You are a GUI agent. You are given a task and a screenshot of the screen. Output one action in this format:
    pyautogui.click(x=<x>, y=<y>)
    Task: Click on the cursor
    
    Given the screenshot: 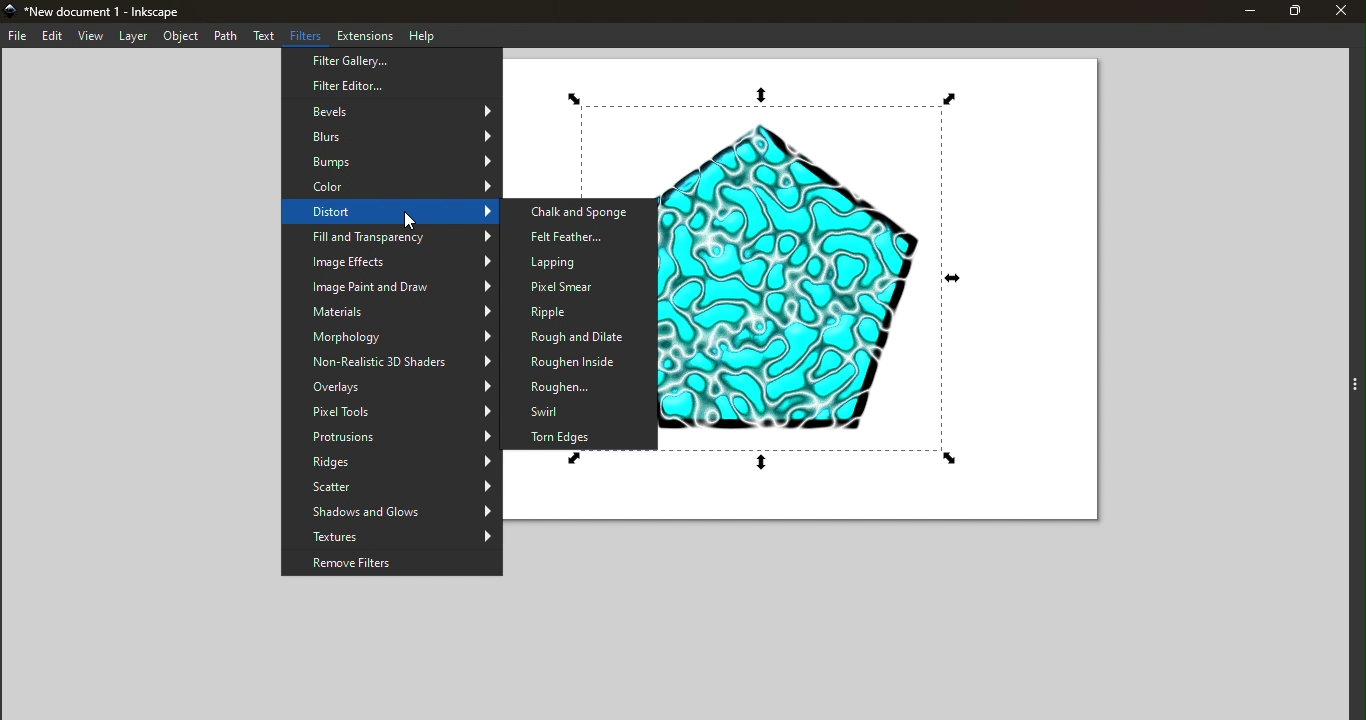 What is the action you would take?
    pyautogui.click(x=413, y=223)
    